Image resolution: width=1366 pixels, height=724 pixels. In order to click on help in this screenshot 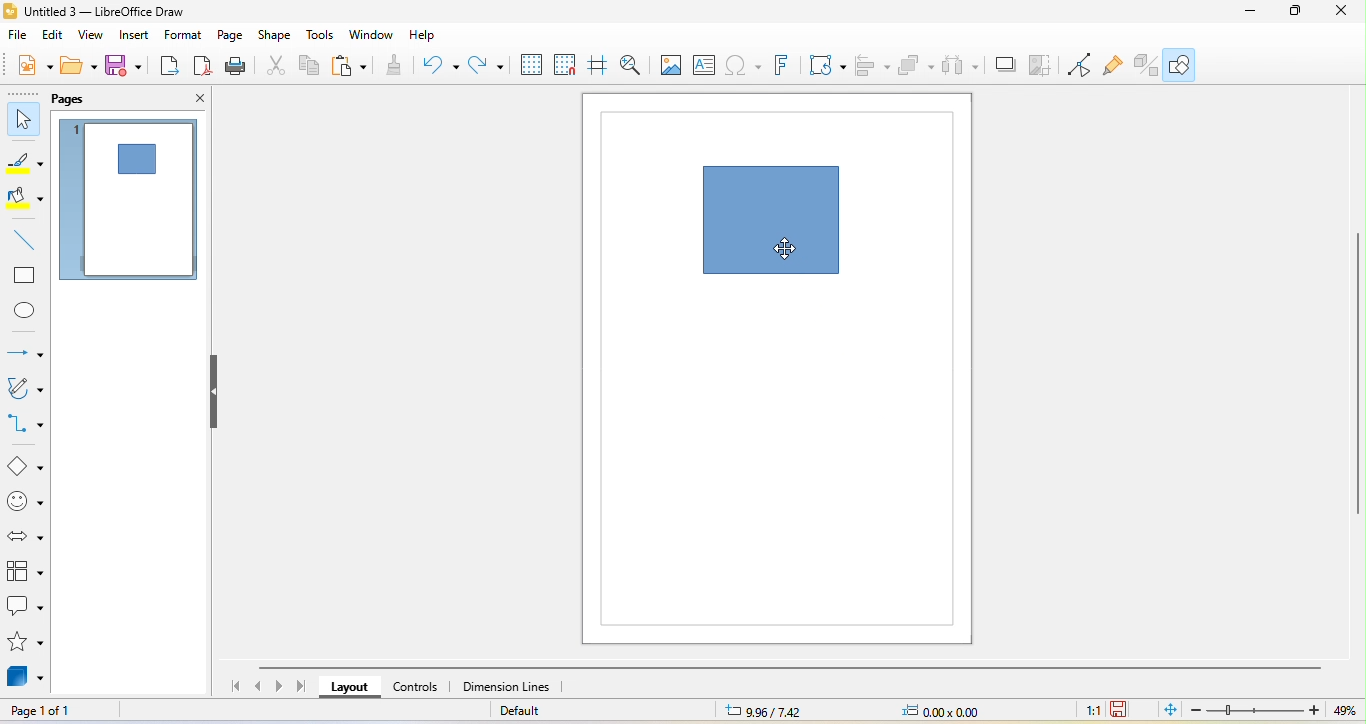, I will do `click(426, 34)`.